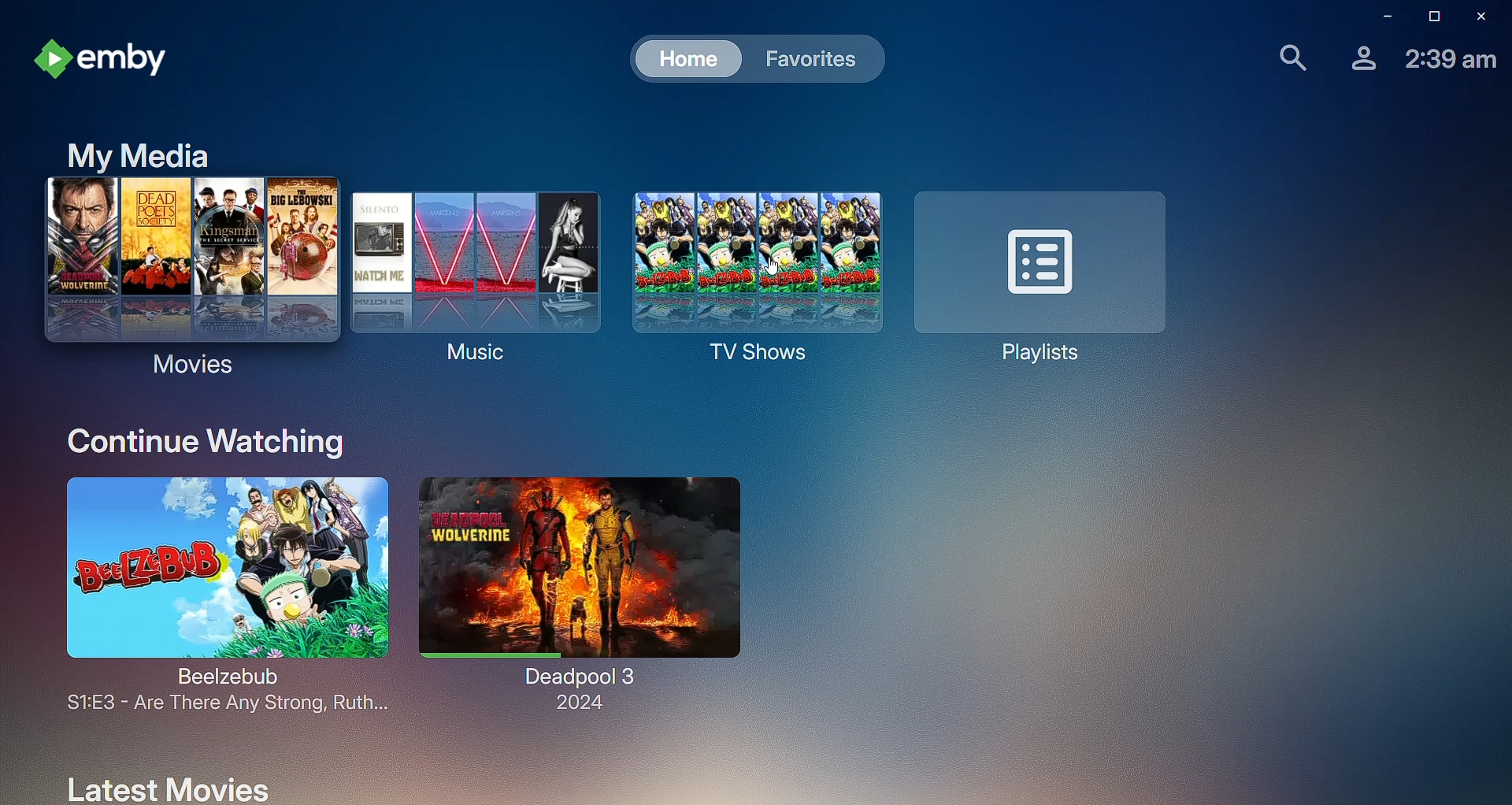 Image resolution: width=1512 pixels, height=805 pixels. What do you see at coordinates (189, 277) in the screenshot?
I see `Movies` at bounding box center [189, 277].